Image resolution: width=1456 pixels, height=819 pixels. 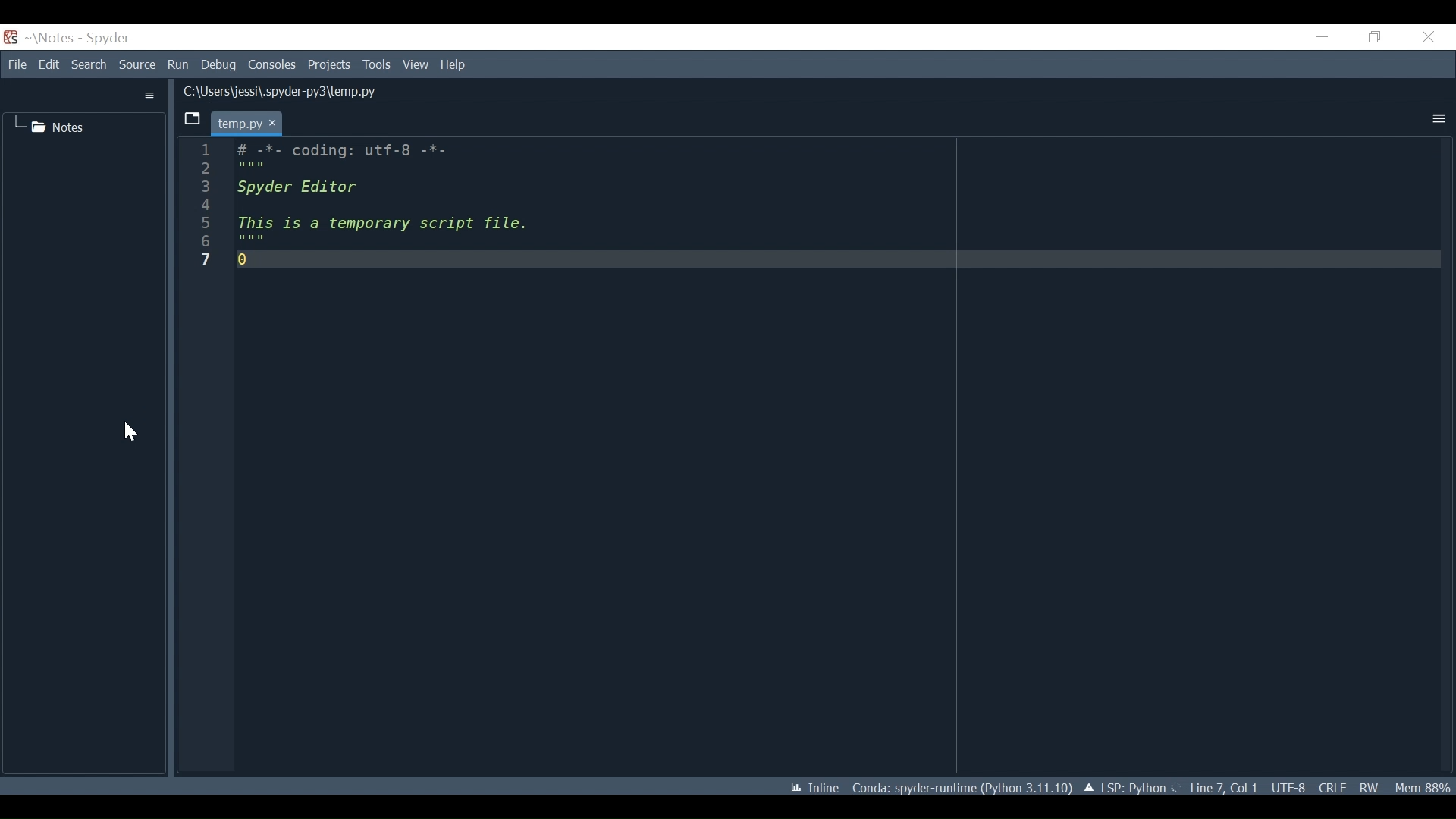 What do you see at coordinates (101, 39) in the screenshot?
I see `Spyder ` at bounding box center [101, 39].